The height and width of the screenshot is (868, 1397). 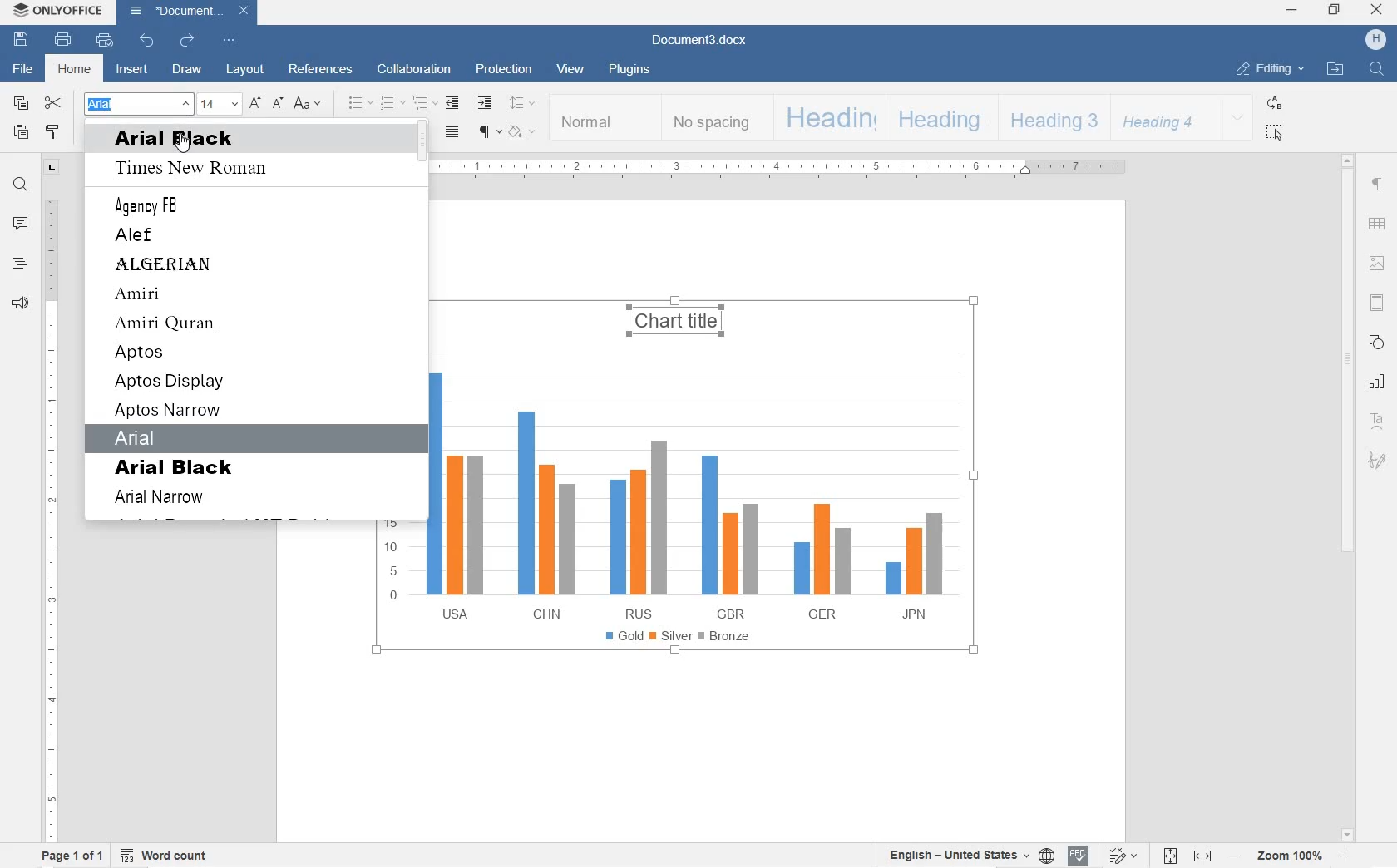 What do you see at coordinates (278, 103) in the screenshot?
I see `DECREMENT FONT SIZE` at bounding box center [278, 103].